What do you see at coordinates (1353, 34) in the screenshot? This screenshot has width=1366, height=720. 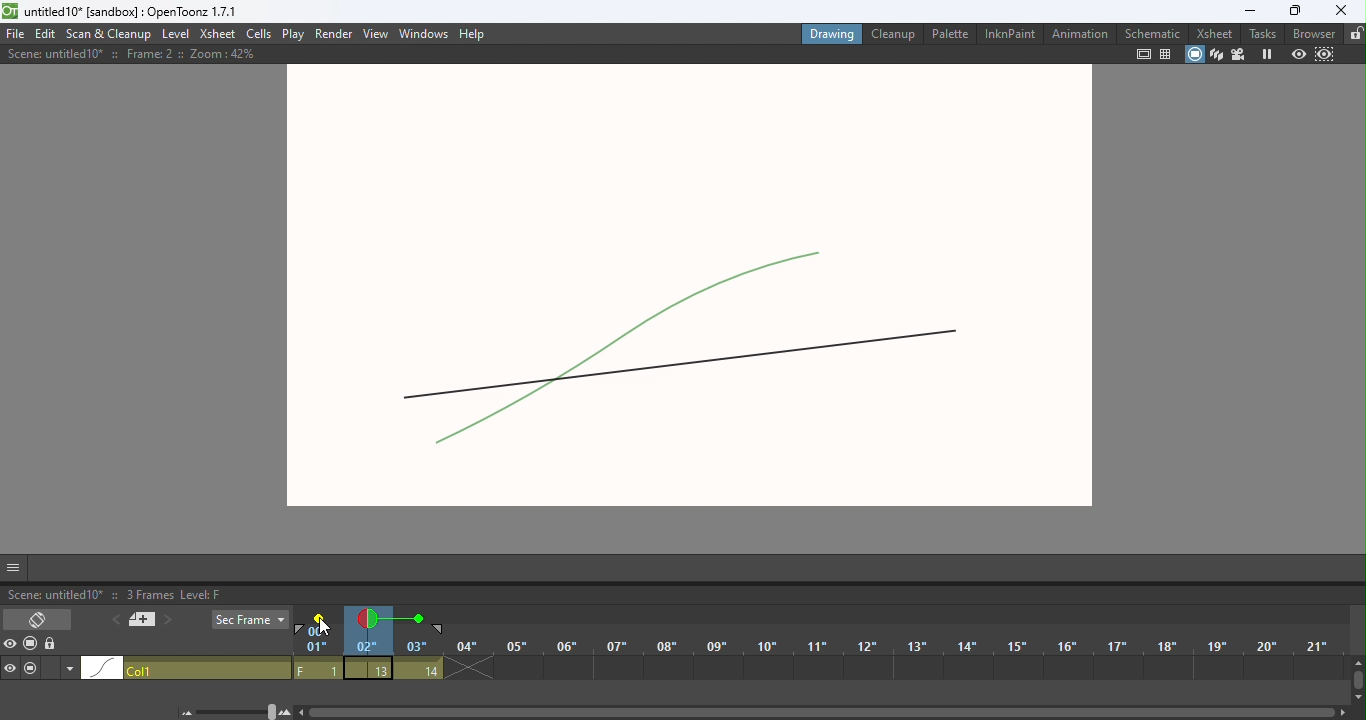 I see `Lock rooms tab` at bounding box center [1353, 34].